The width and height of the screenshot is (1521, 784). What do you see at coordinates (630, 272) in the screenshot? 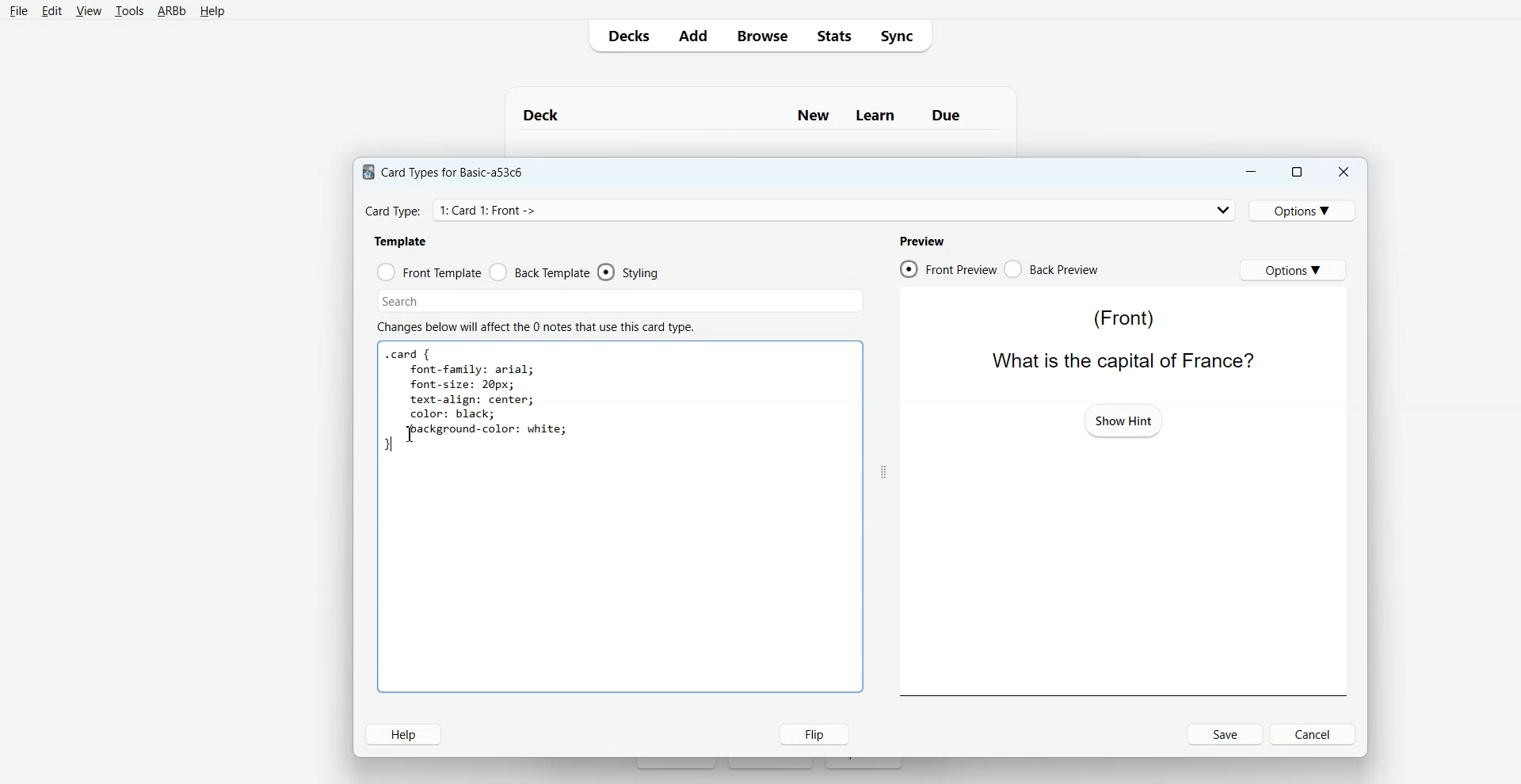
I see `Styling` at bounding box center [630, 272].